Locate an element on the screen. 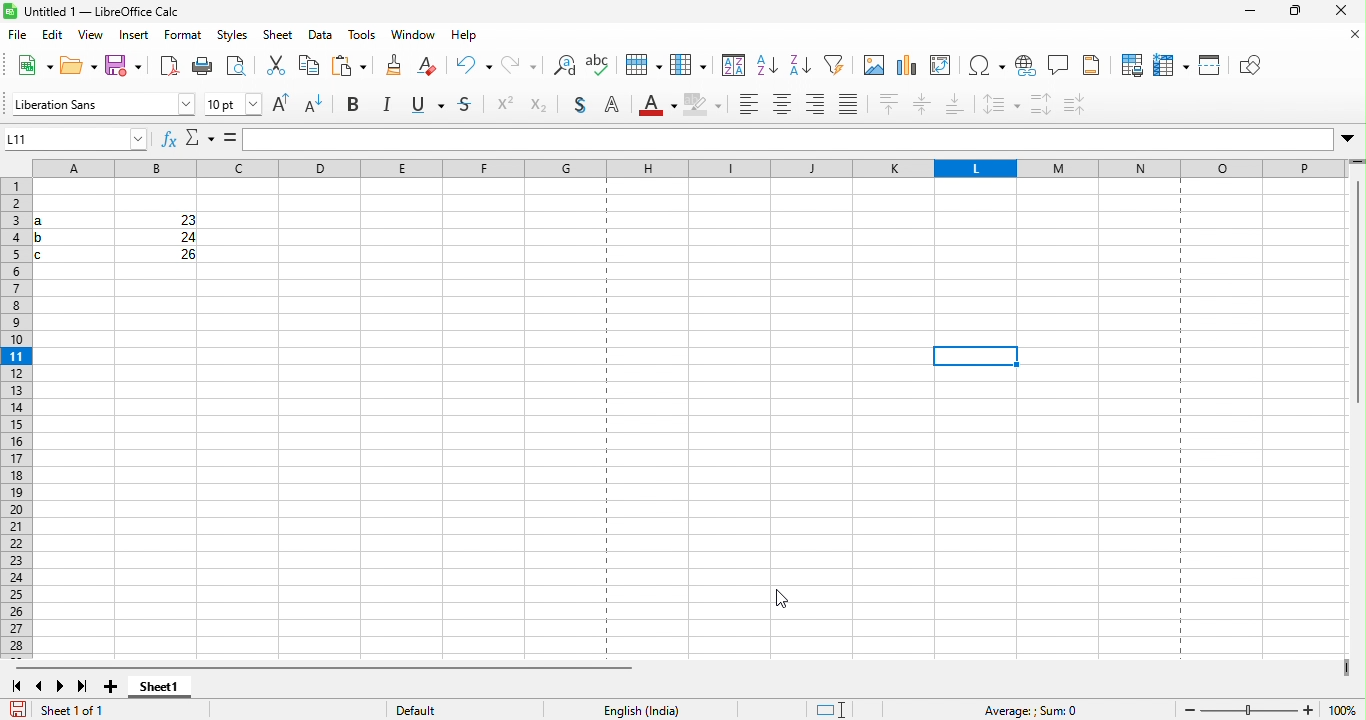 This screenshot has height=720, width=1366. export directly as pdf is located at coordinates (166, 67).